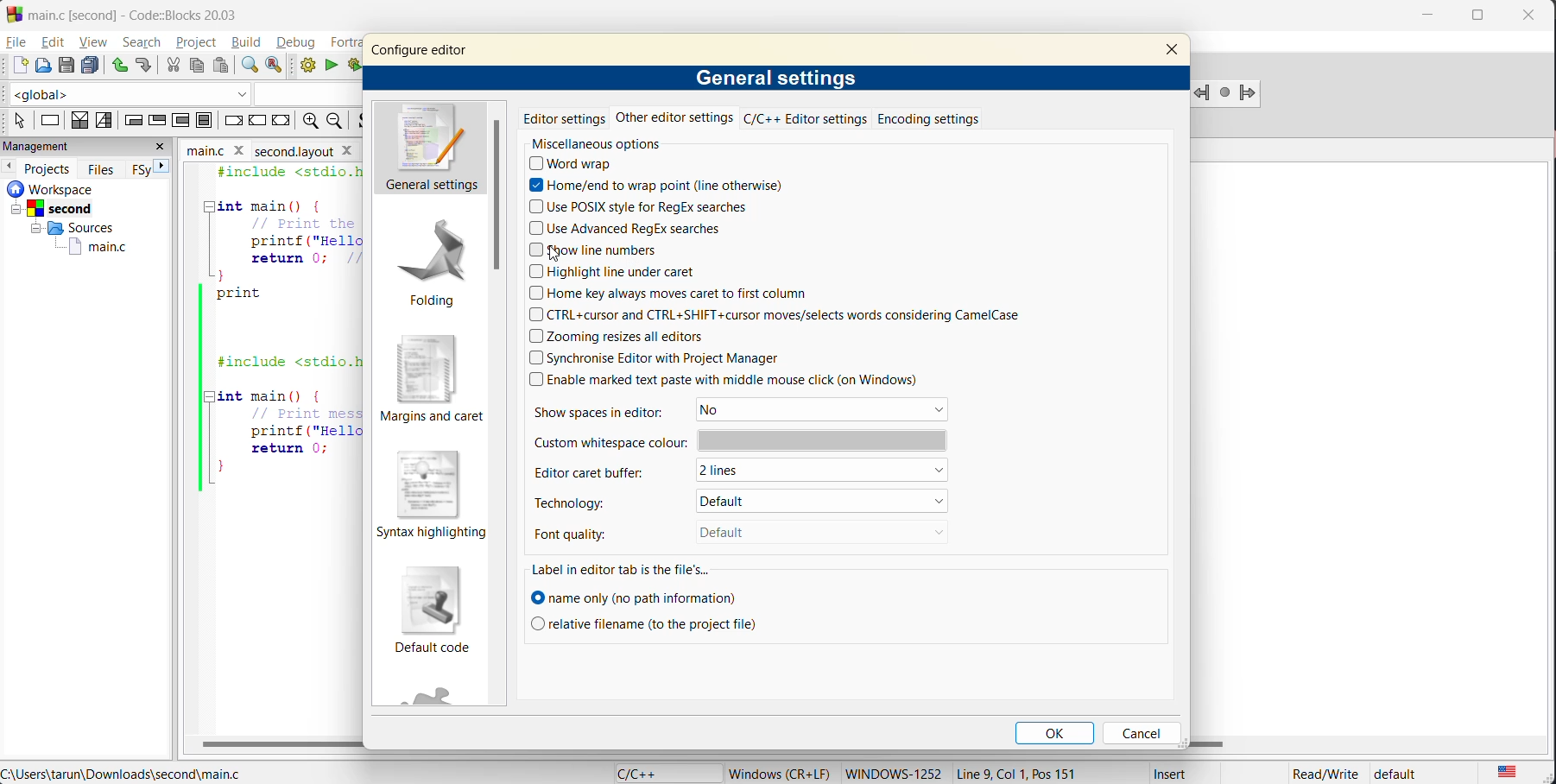 This screenshot has height=784, width=1556. I want to click on selection, so click(104, 122).